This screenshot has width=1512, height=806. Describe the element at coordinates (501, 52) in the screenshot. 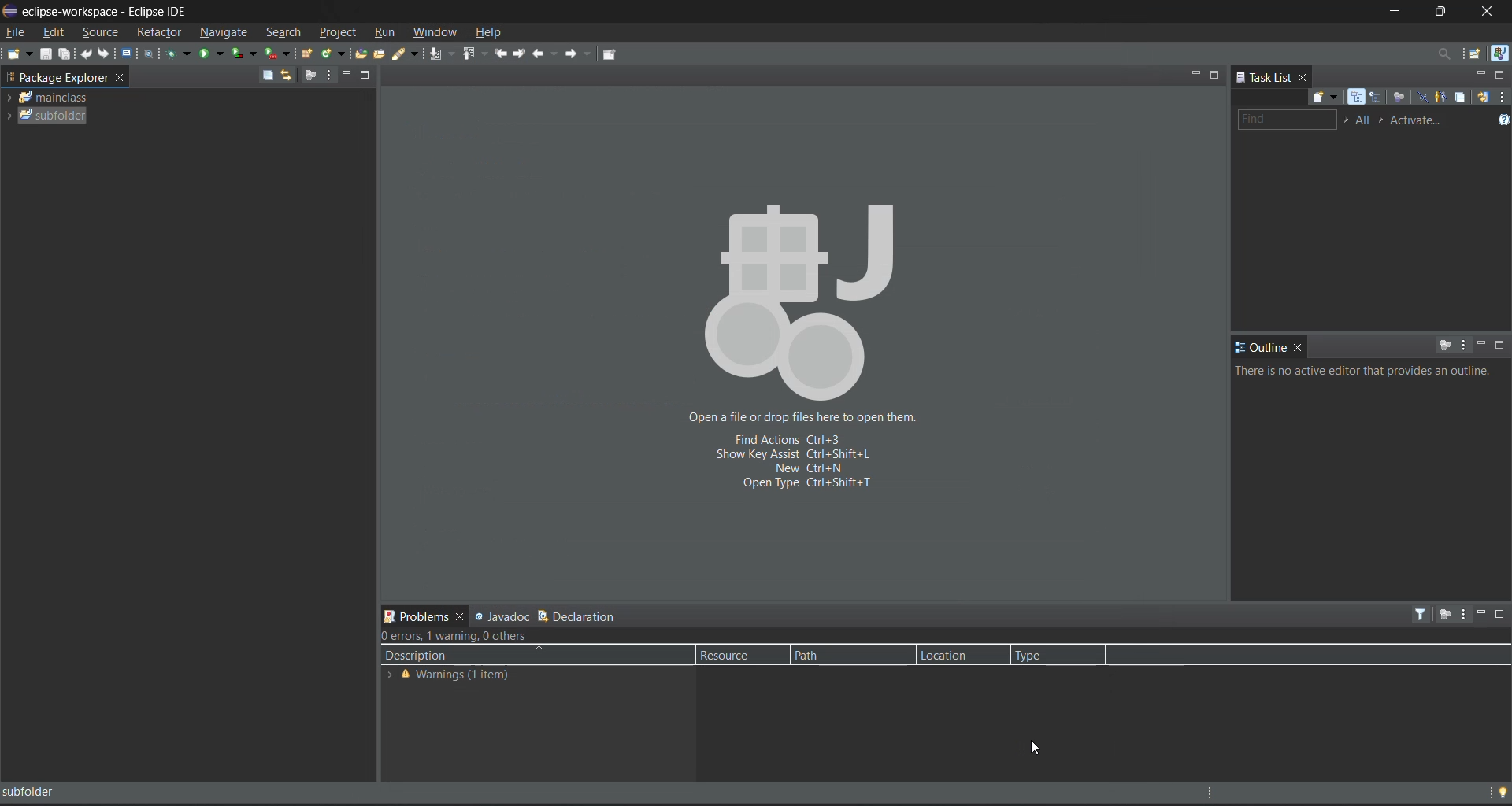

I see `previous edit location` at that location.